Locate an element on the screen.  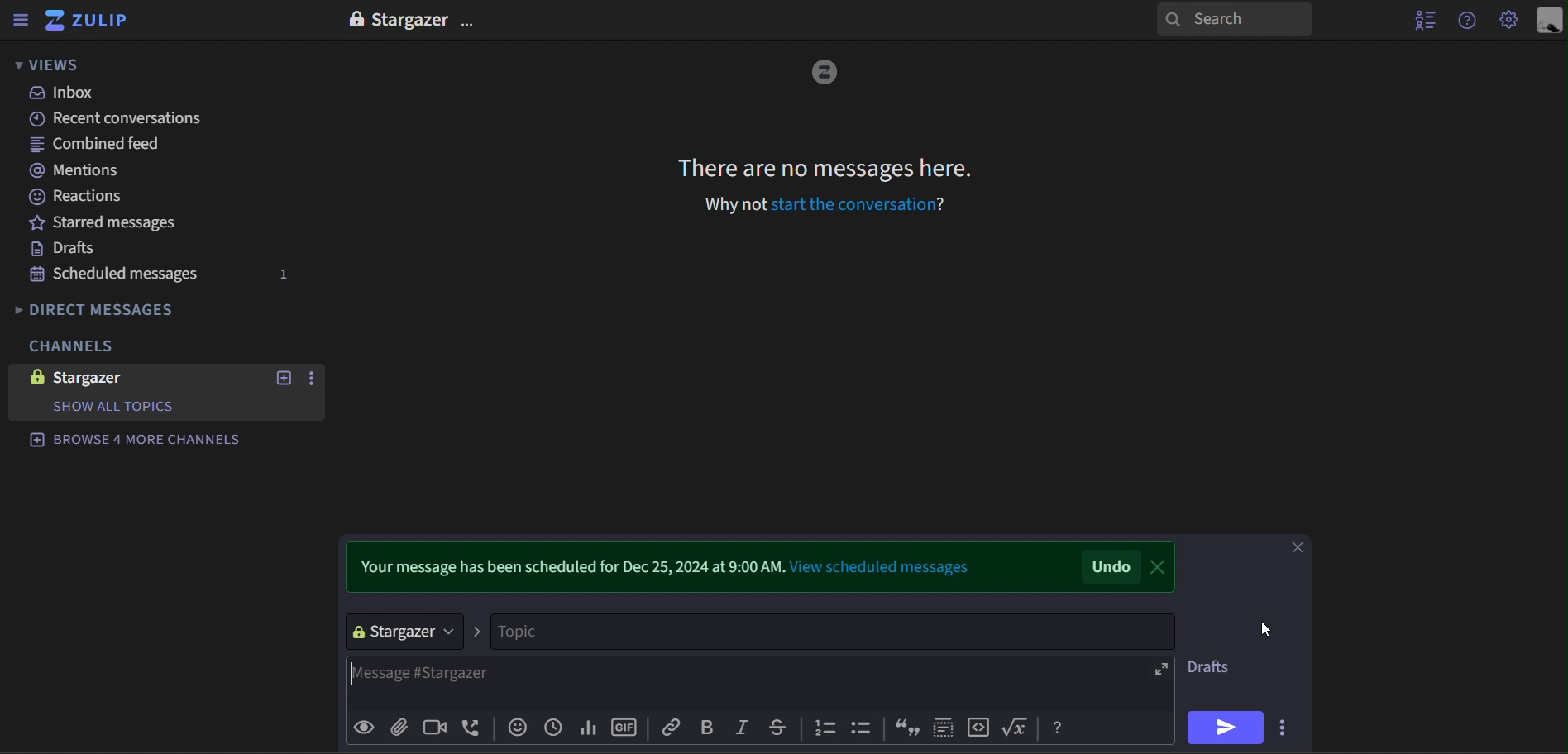
strike through is located at coordinates (783, 728).